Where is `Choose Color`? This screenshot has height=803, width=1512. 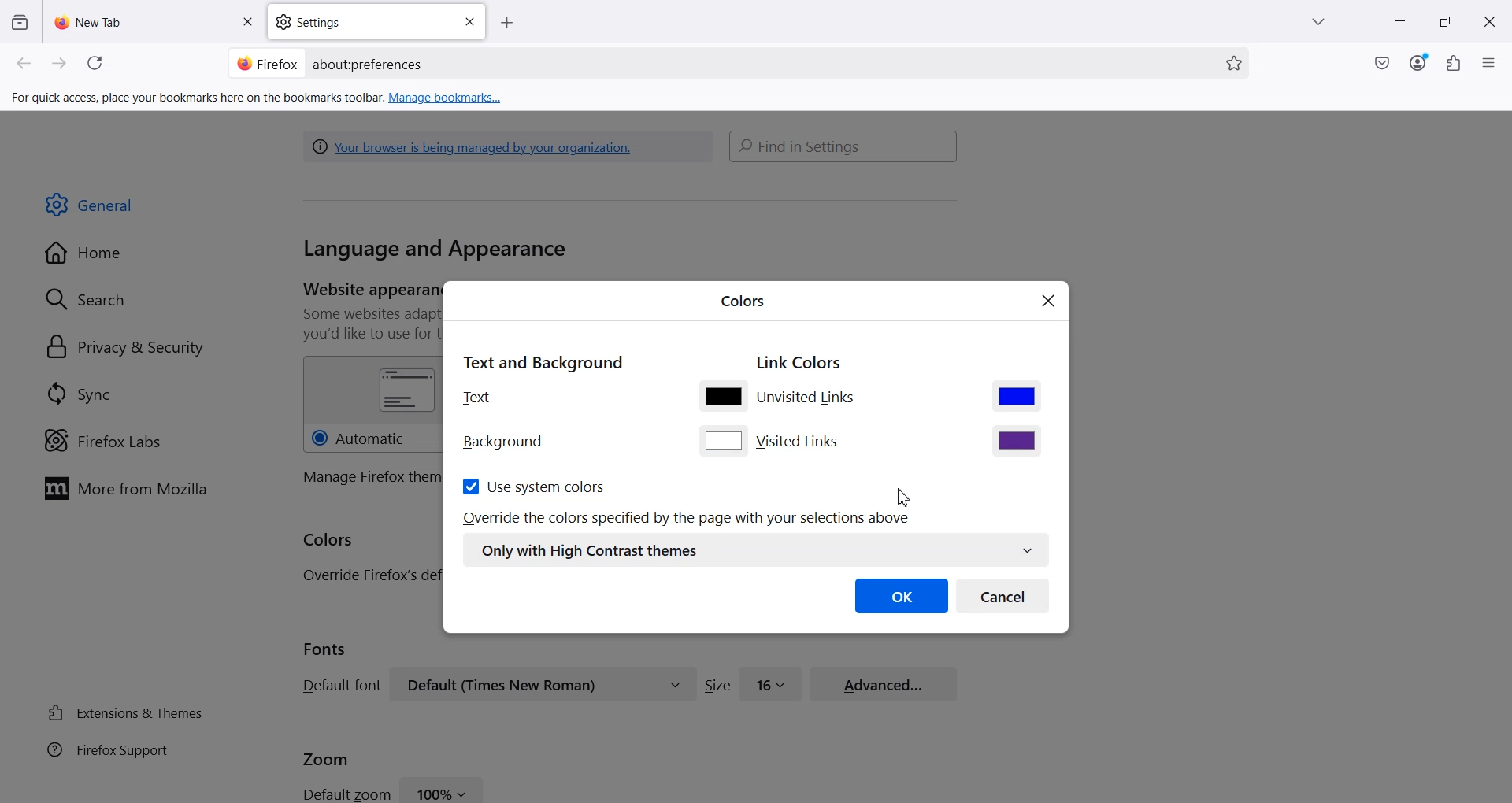 Choose Color is located at coordinates (722, 395).